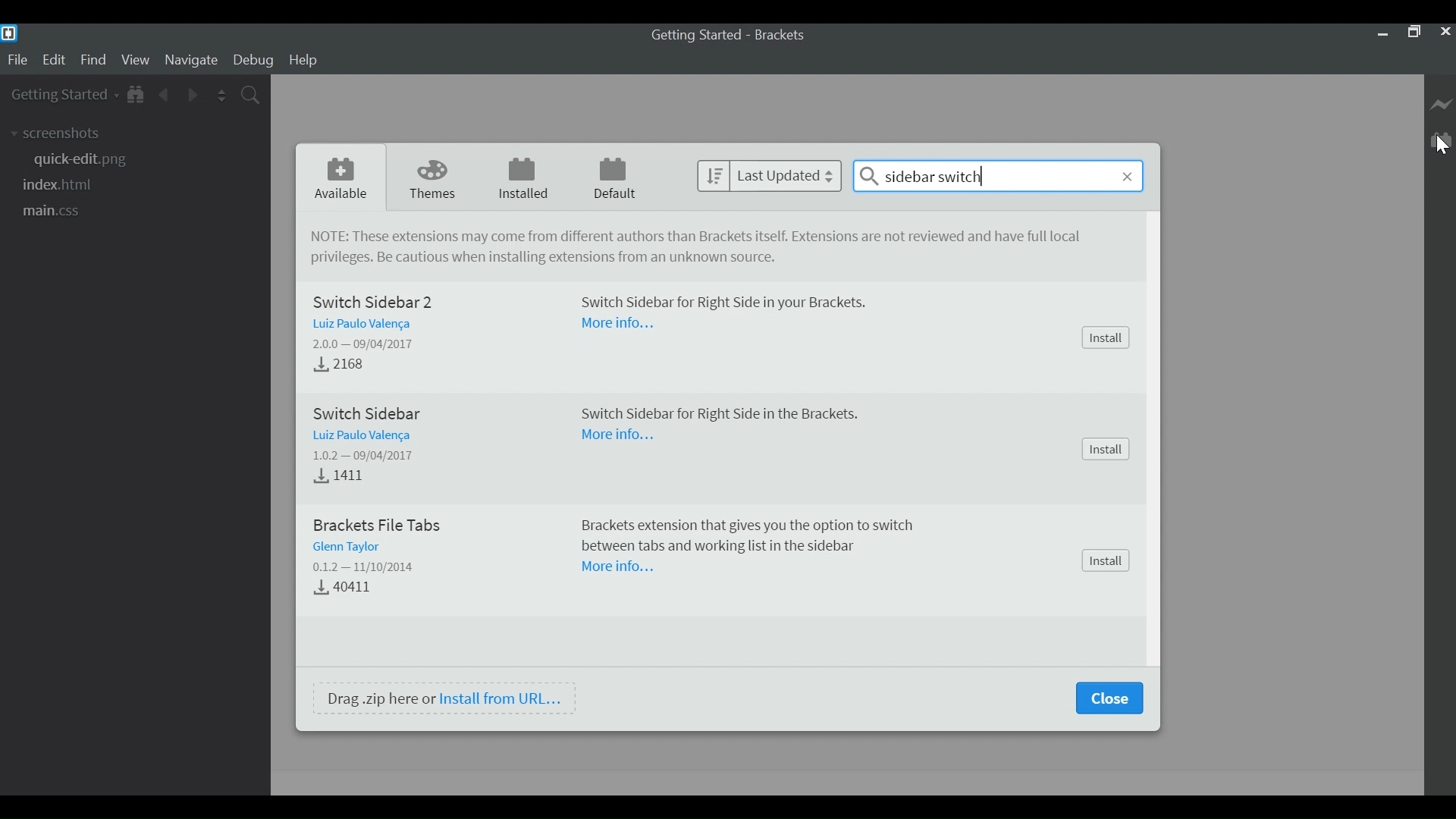 The width and height of the screenshot is (1456, 819). Describe the element at coordinates (720, 413) in the screenshot. I see `Switch Sidebar for Right Side in the Brackets` at that location.